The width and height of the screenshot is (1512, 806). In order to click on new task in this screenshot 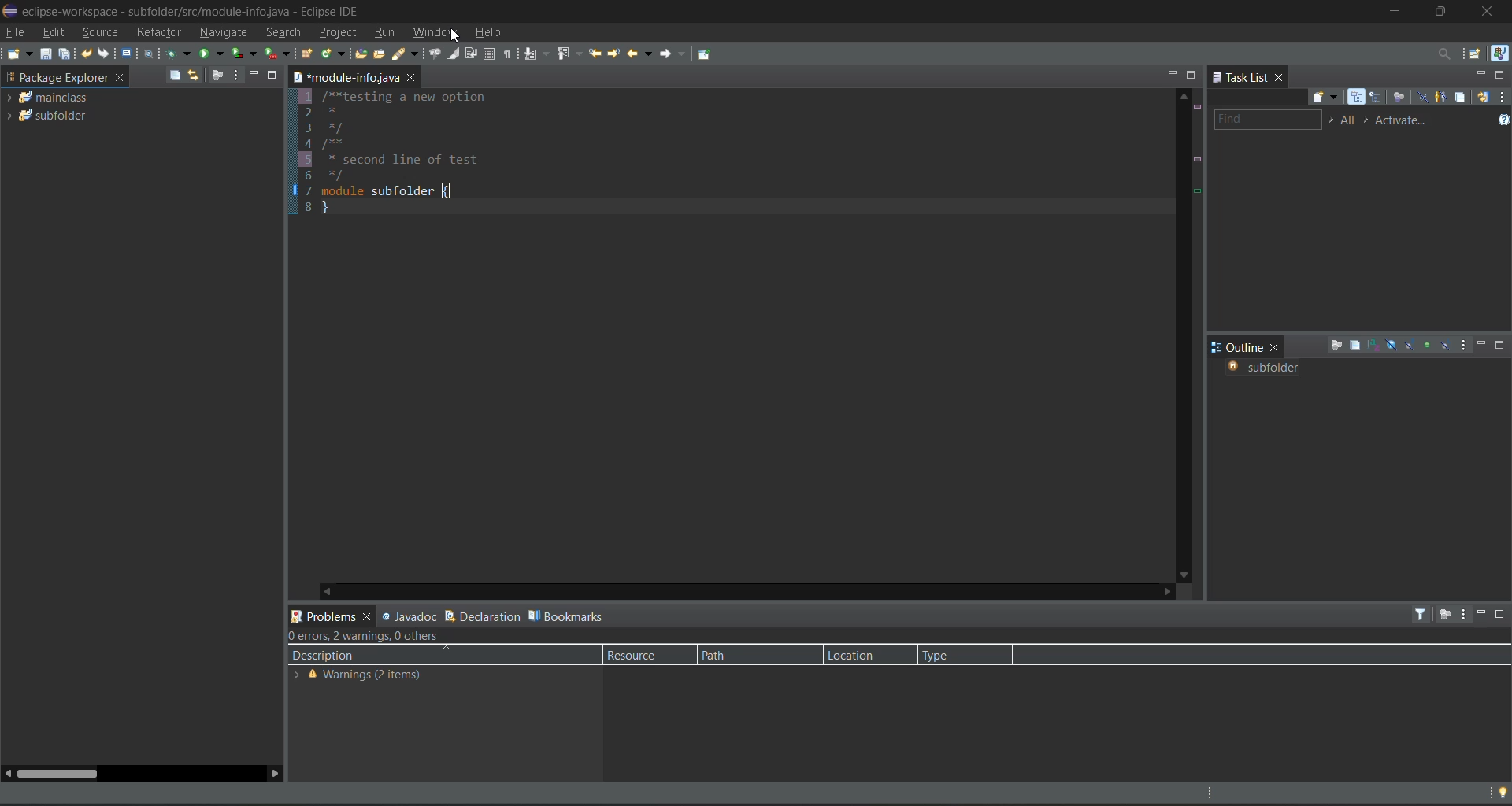, I will do `click(1330, 97)`.